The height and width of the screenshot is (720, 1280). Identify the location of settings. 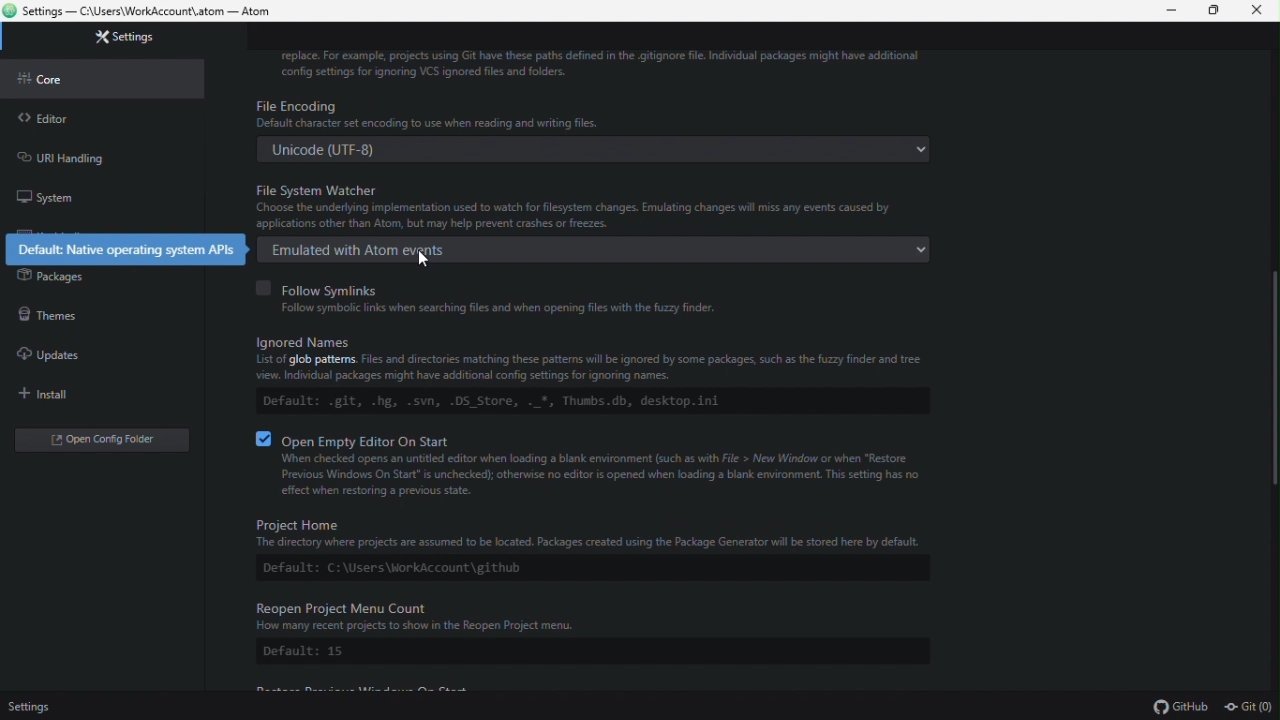
(123, 39).